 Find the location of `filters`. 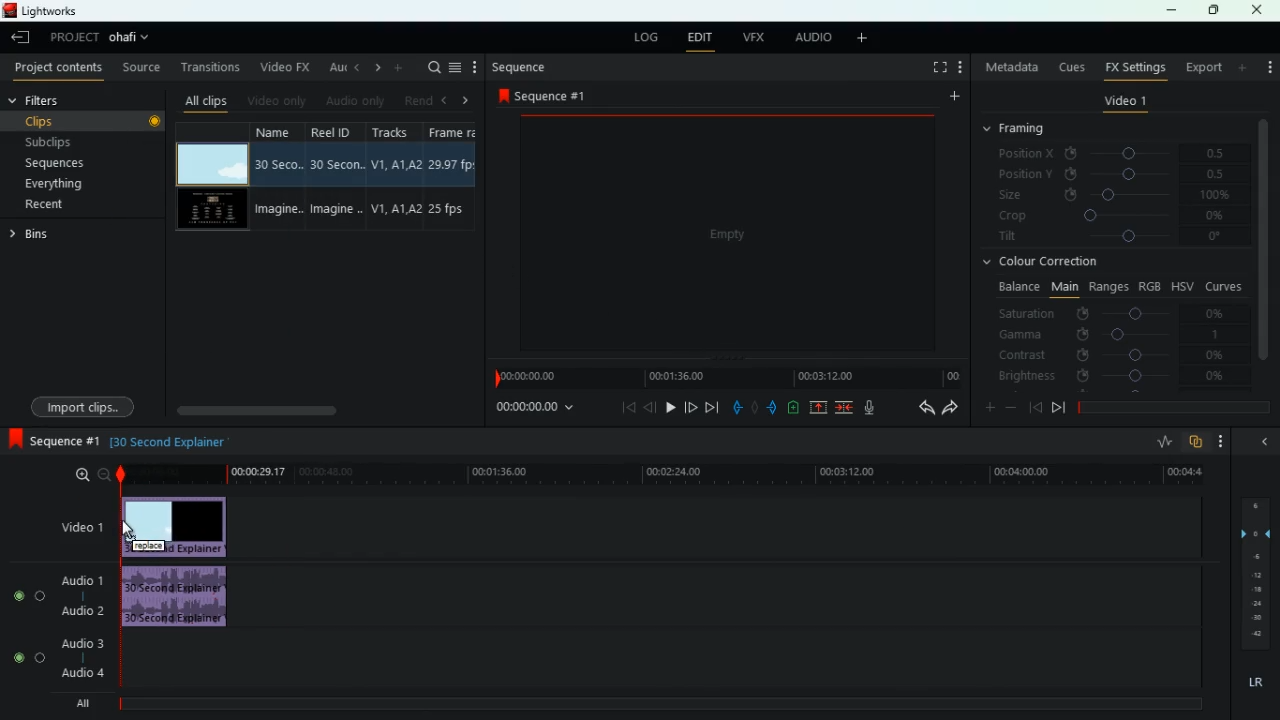

filters is located at coordinates (50, 101).